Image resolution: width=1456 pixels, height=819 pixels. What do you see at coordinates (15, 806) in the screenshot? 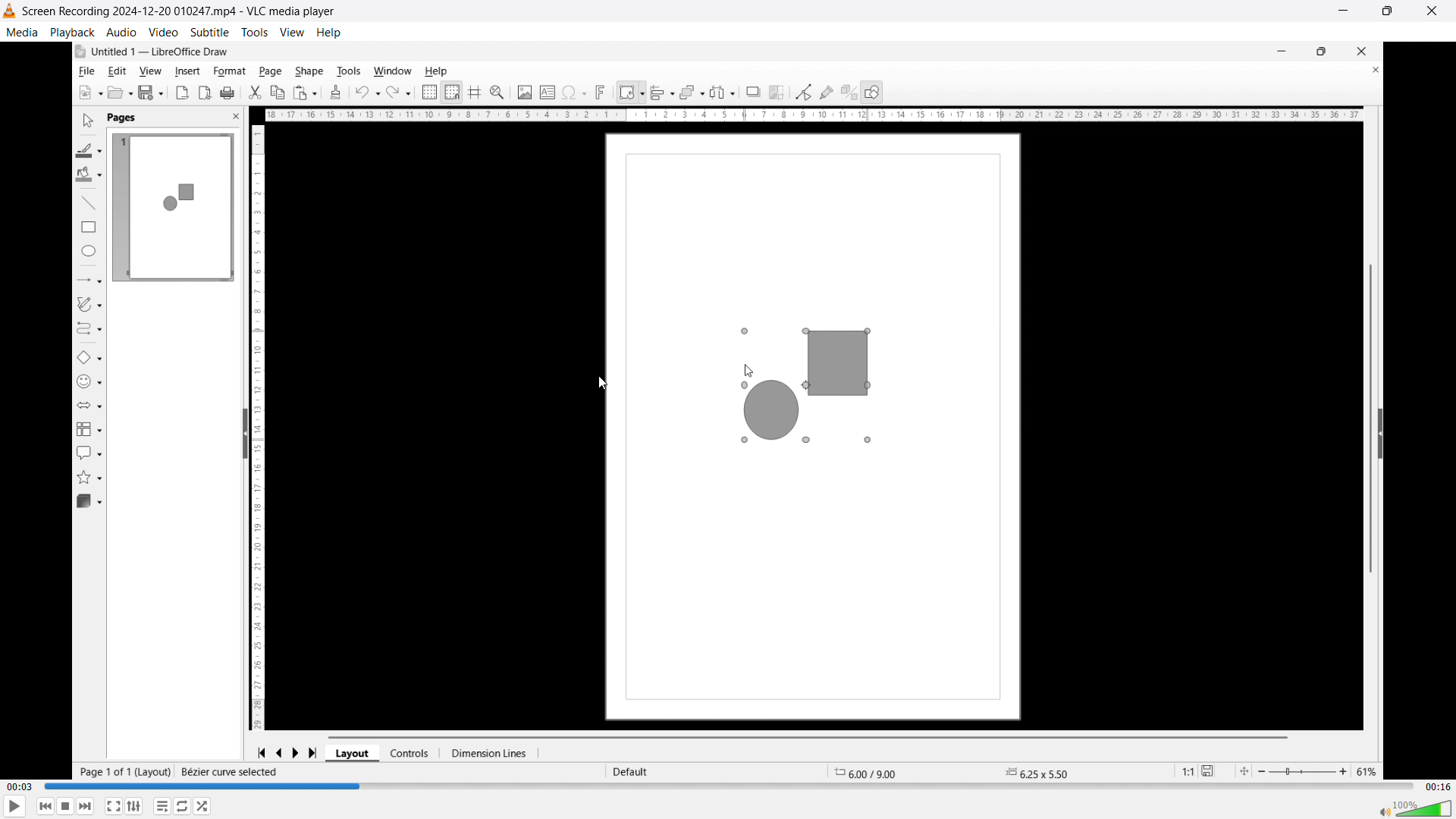
I see `play ` at bounding box center [15, 806].